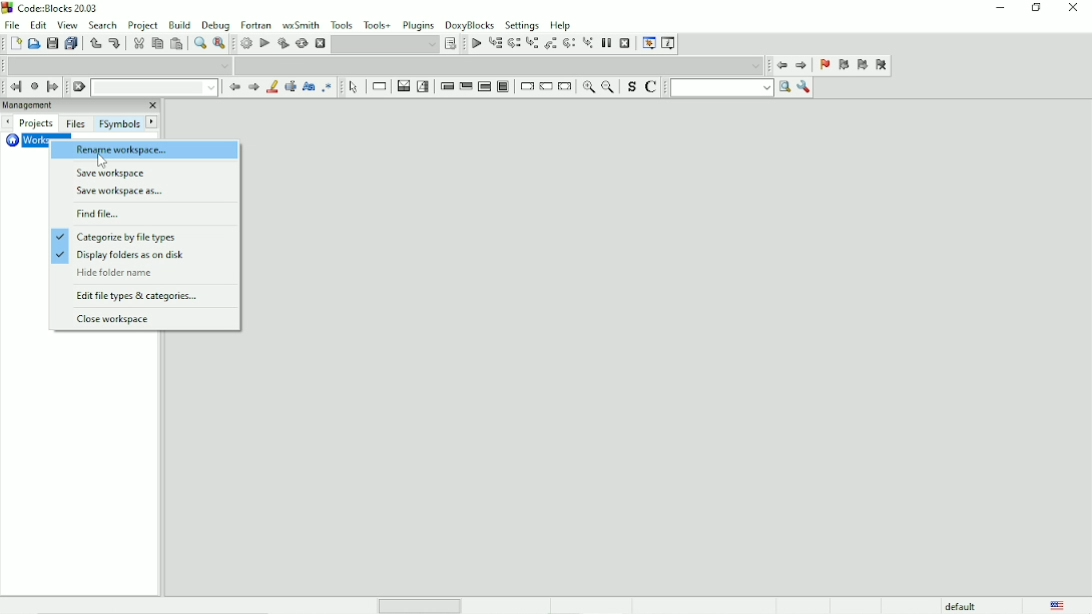 Image resolution: width=1092 pixels, height=614 pixels. Describe the element at coordinates (120, 65) in the screenshot. I see `Drop down` at that location.